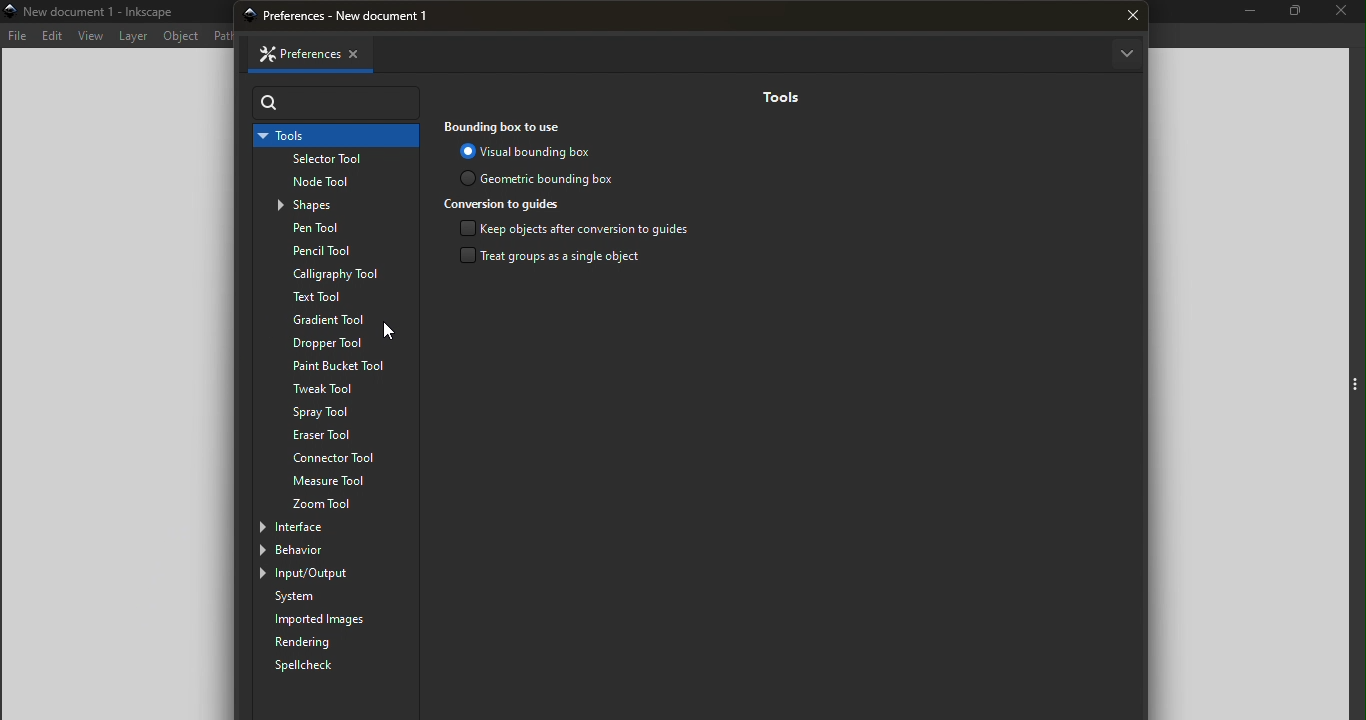  What do you see at coordinates (527, 151) in the screenshot?
I see `Visual bounding box` at bounding box center [527, 151].